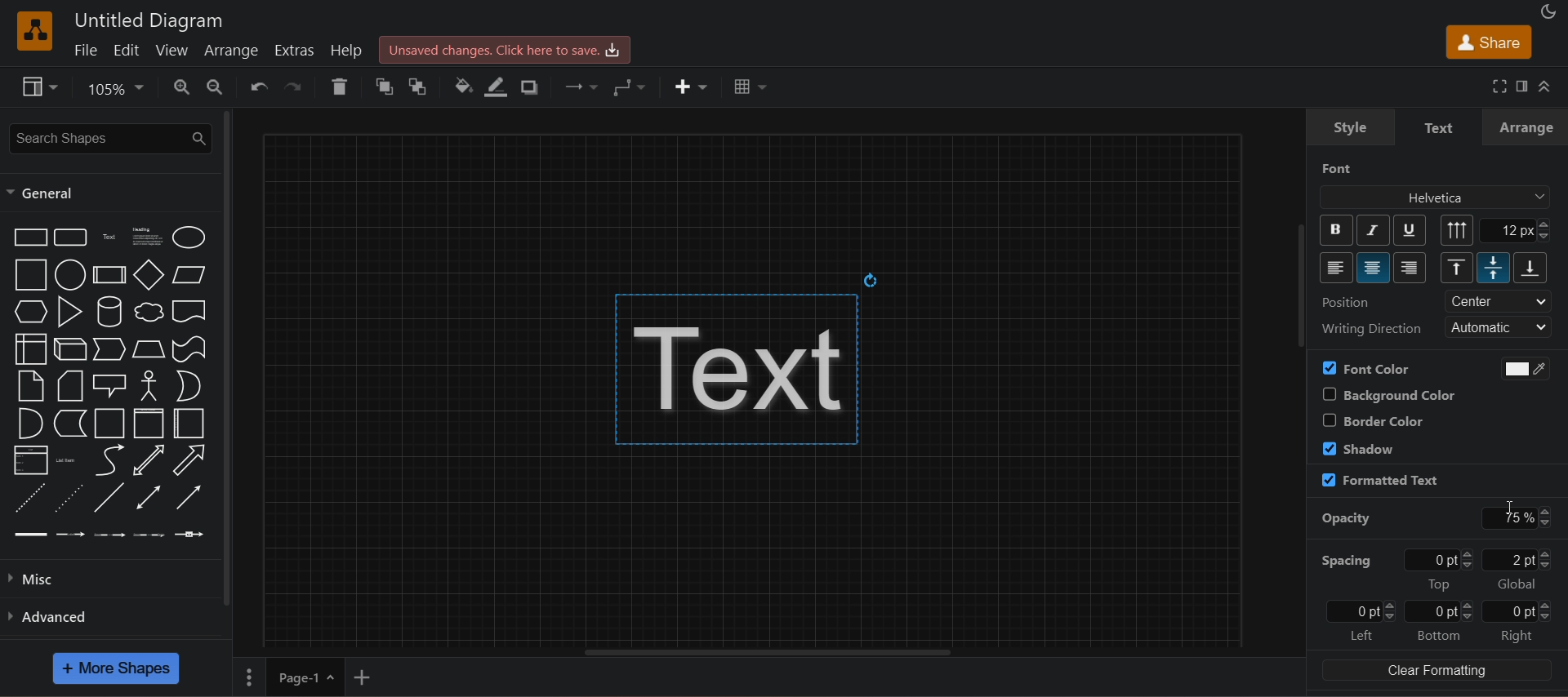  I want to click on horizontal scroll bar, so click(752, 652).